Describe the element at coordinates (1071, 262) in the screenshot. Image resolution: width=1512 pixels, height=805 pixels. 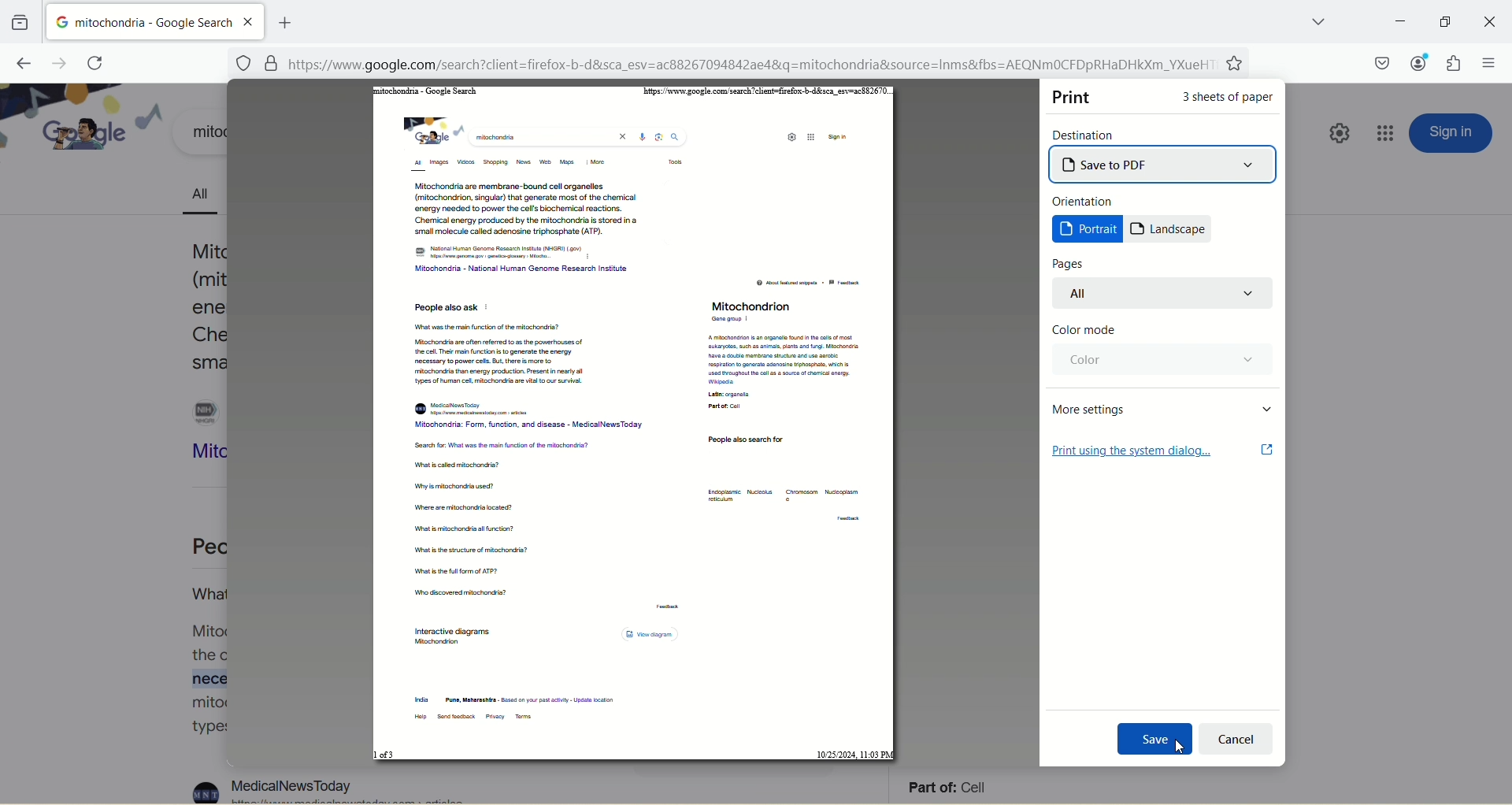
I see `pages` at that location.